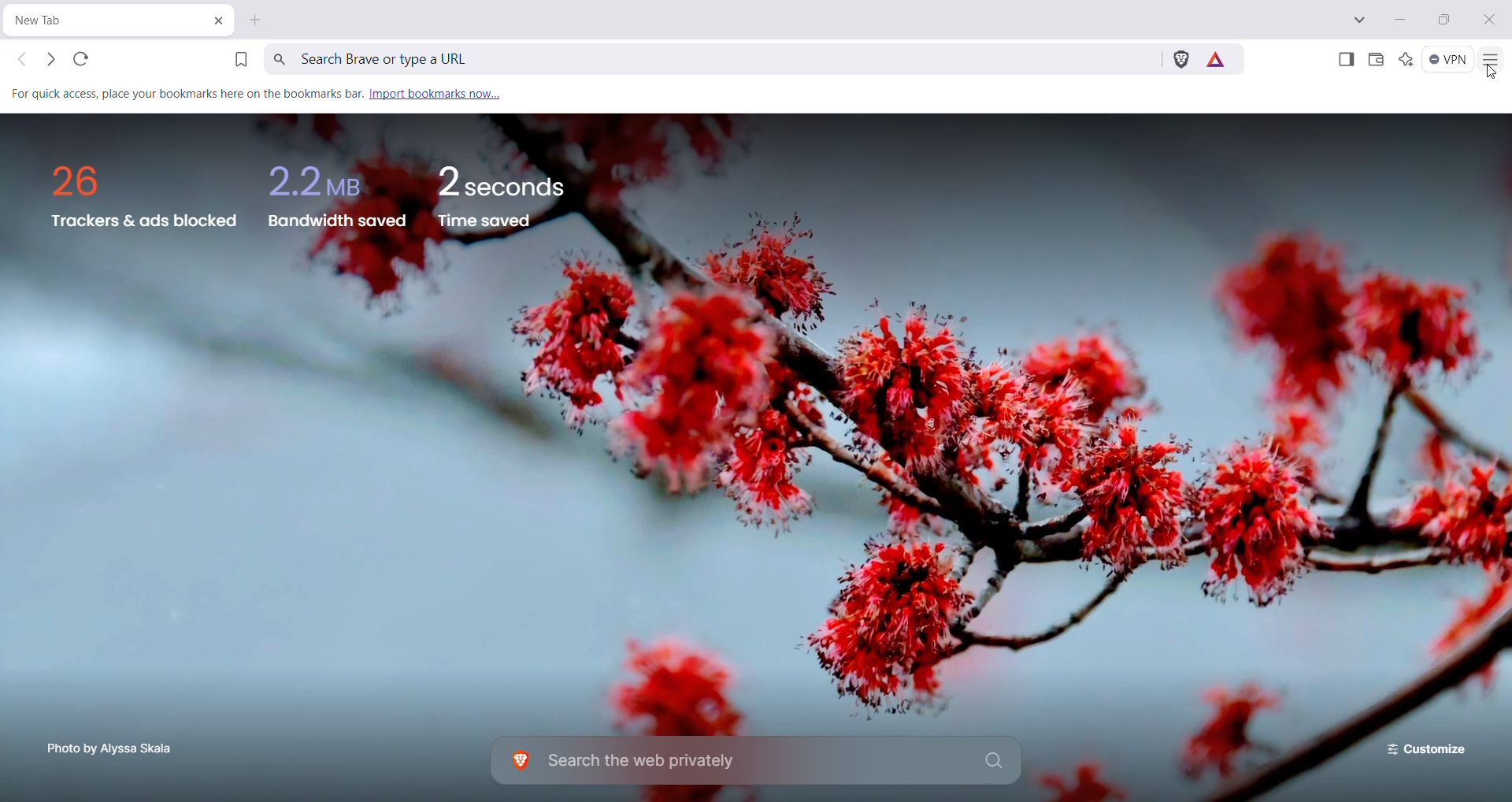 Image resolution: width=1512 pixels, height=802 pixels. What do you see at coordinates (213, 20) in the screenshot?
I see `Close Tab` at bounding box center [213, 20].